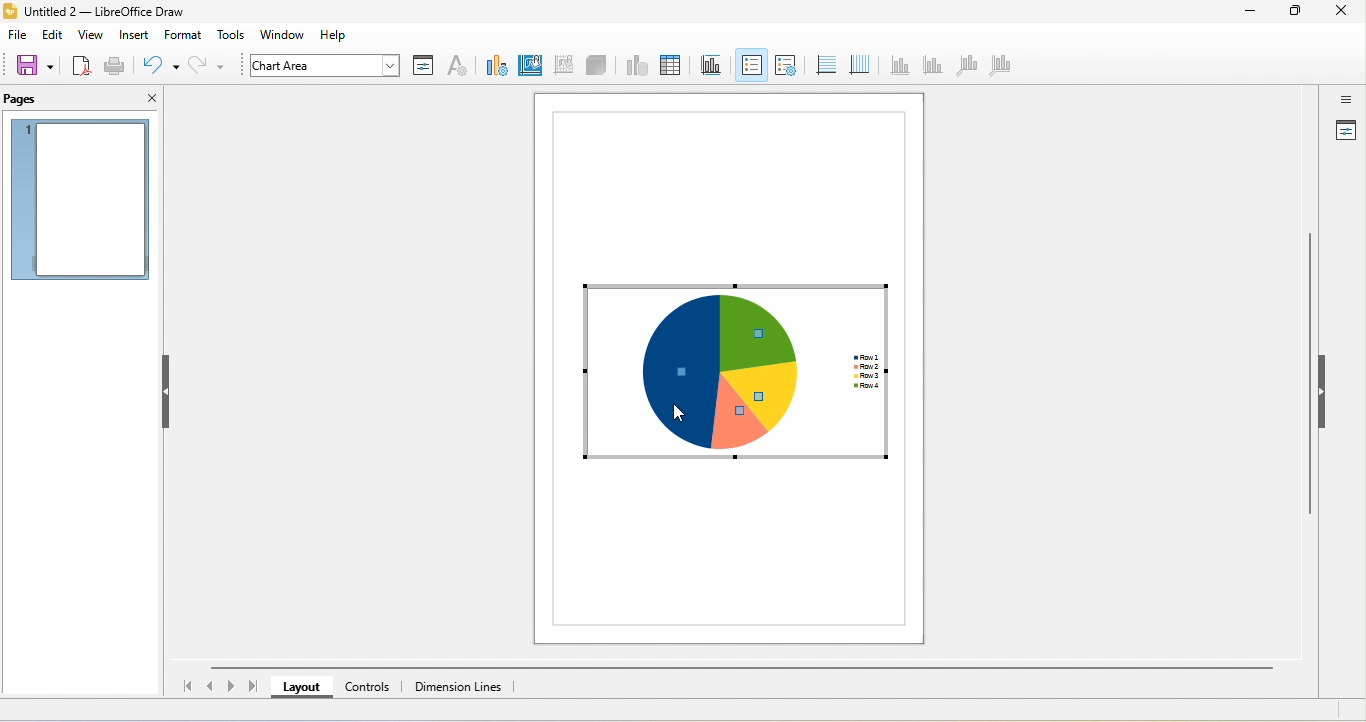 The image size is (1366, 722). What do you see at coordinates (899, 64) in the screenshot?
I see `x axis` at bounding box center [899, 64].